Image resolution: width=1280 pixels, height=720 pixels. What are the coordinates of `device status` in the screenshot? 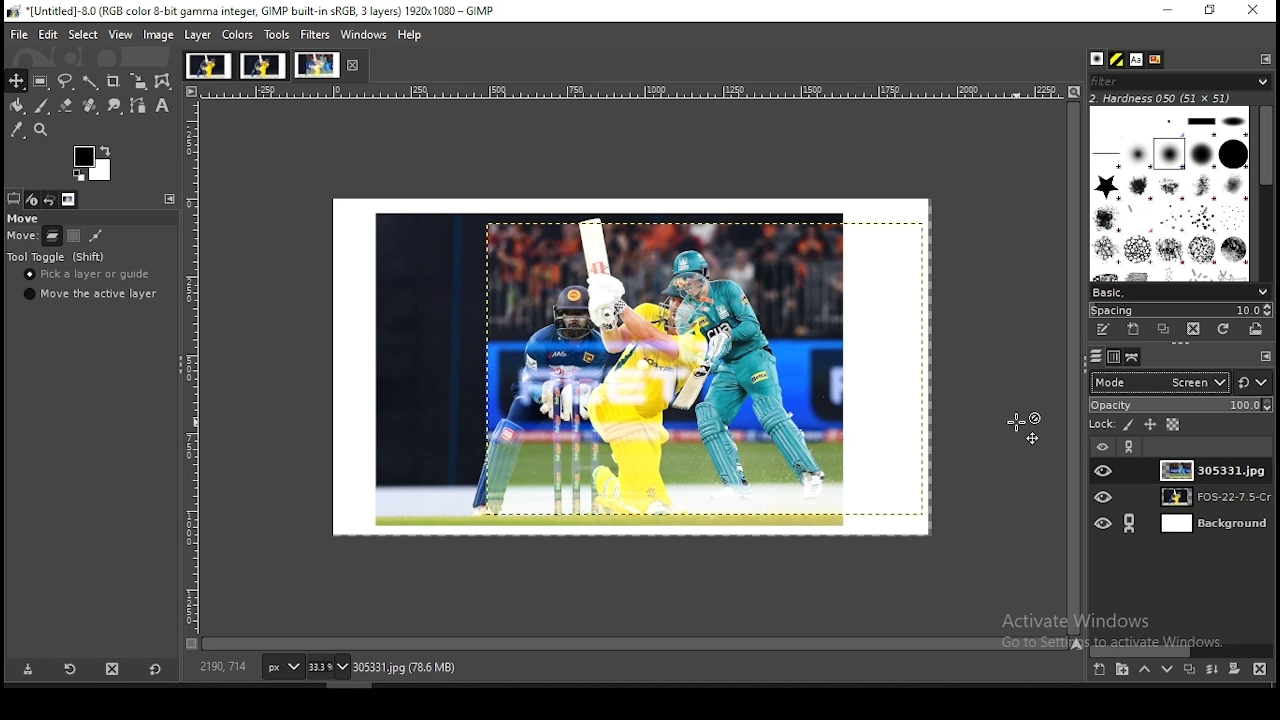 It's located at (32, 199).